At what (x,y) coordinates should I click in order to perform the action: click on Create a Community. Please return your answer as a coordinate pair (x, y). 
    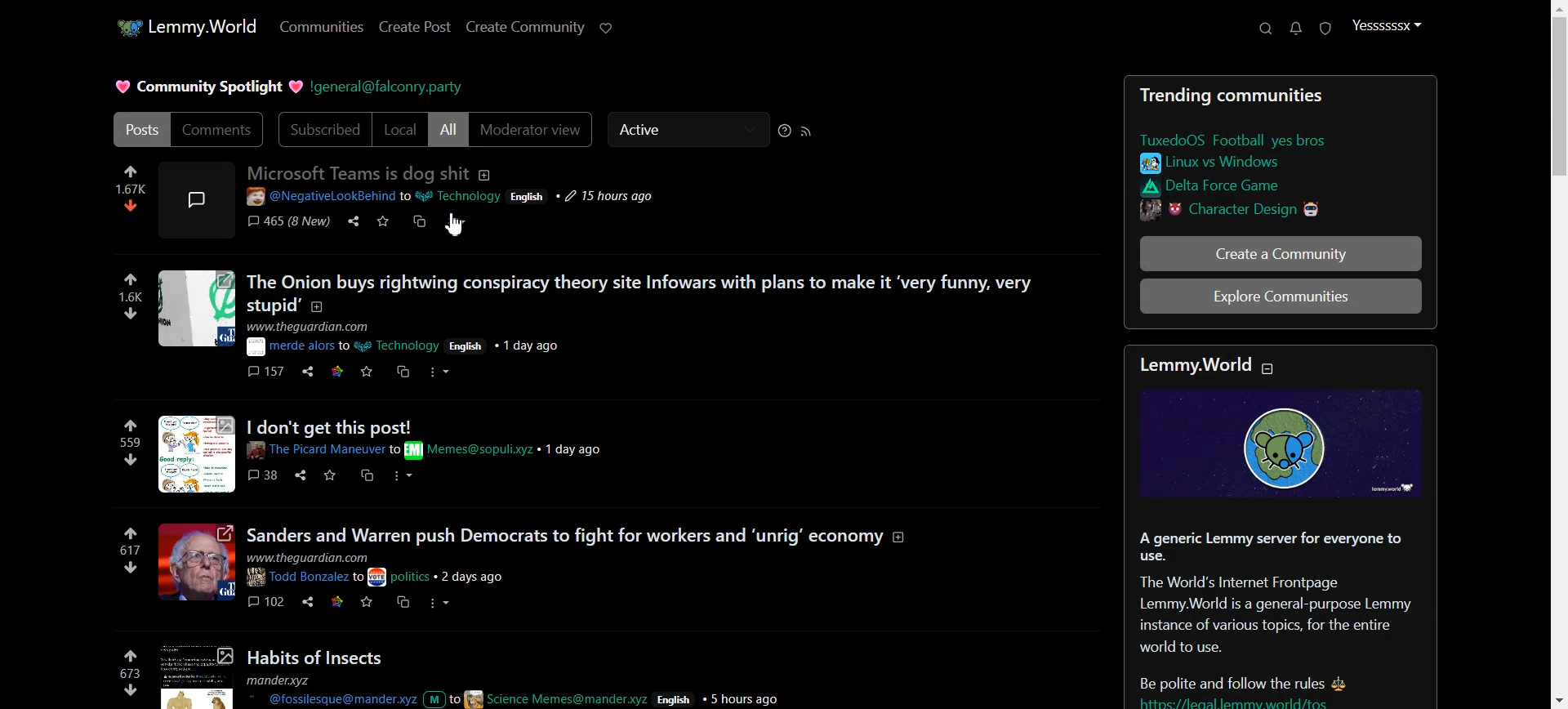
    Looking at the image, I should click on (1281, 253).